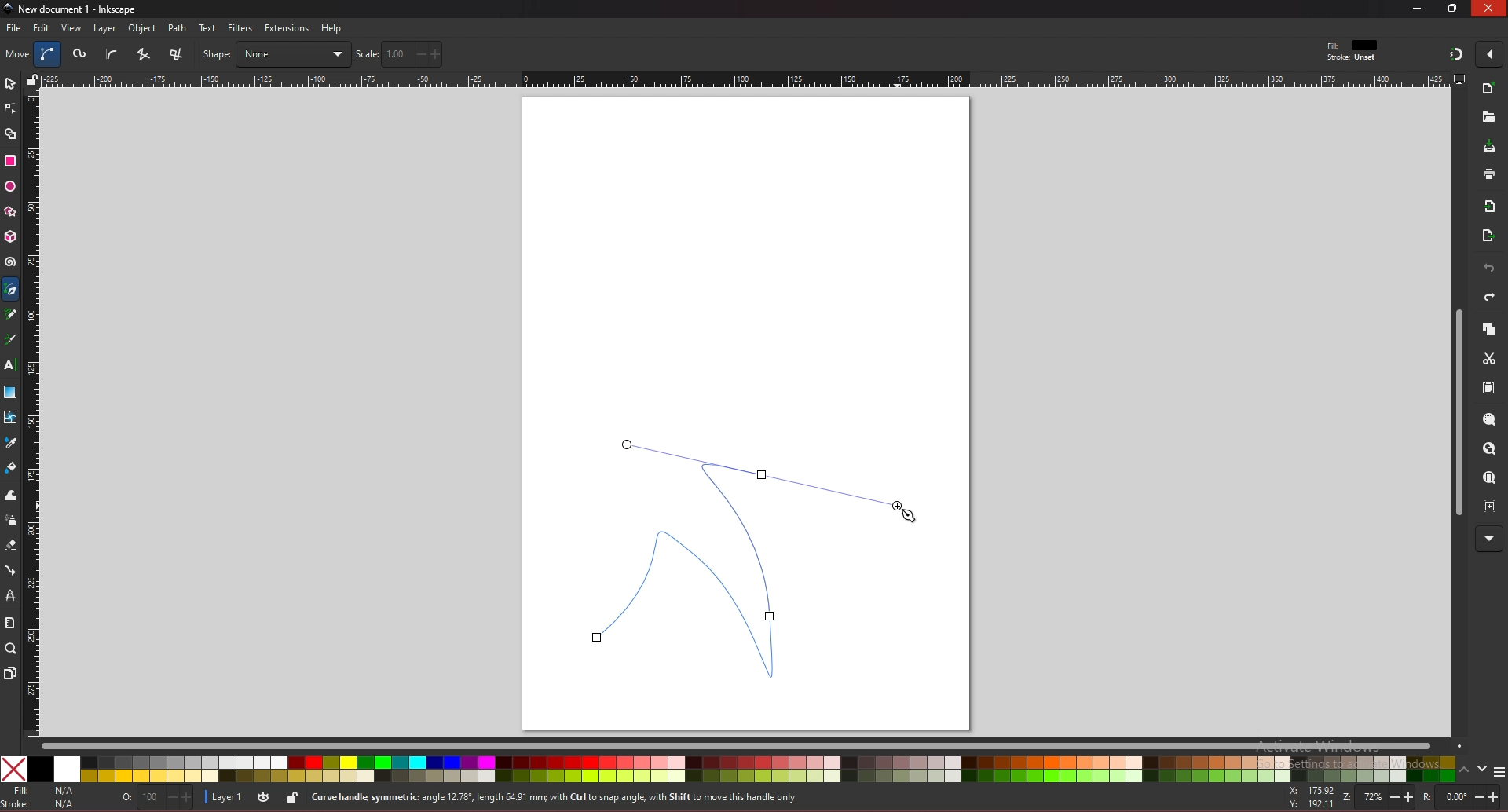 Image resolution: width=1508 pixels, height=812 pixels. What do you see at coordinates (10, 546) in the screenshot?
I see `eraser` at bounding box center [10, 546].